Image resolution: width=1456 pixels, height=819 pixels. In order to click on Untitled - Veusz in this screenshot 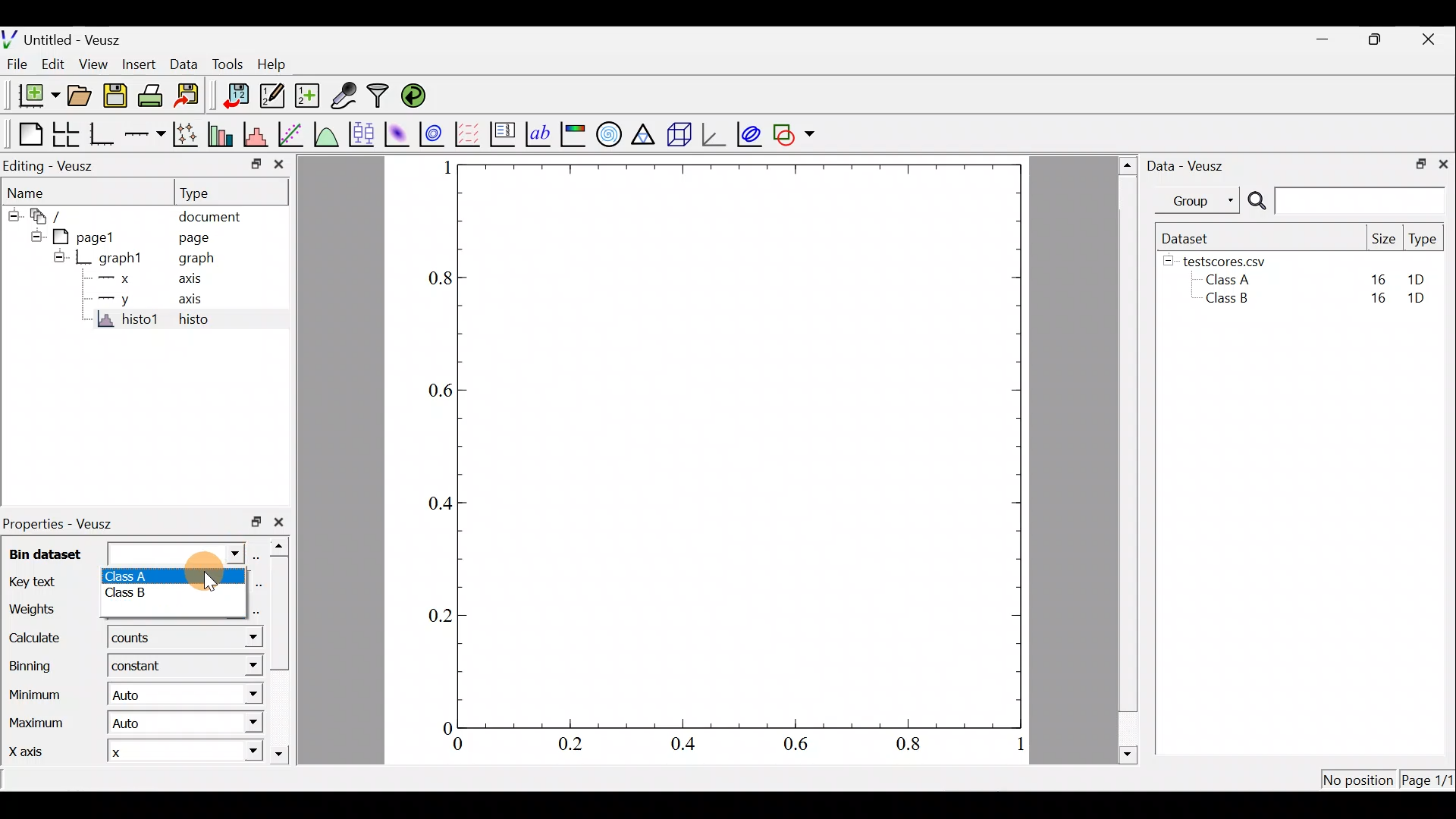, I will do `click(67, 37)`.